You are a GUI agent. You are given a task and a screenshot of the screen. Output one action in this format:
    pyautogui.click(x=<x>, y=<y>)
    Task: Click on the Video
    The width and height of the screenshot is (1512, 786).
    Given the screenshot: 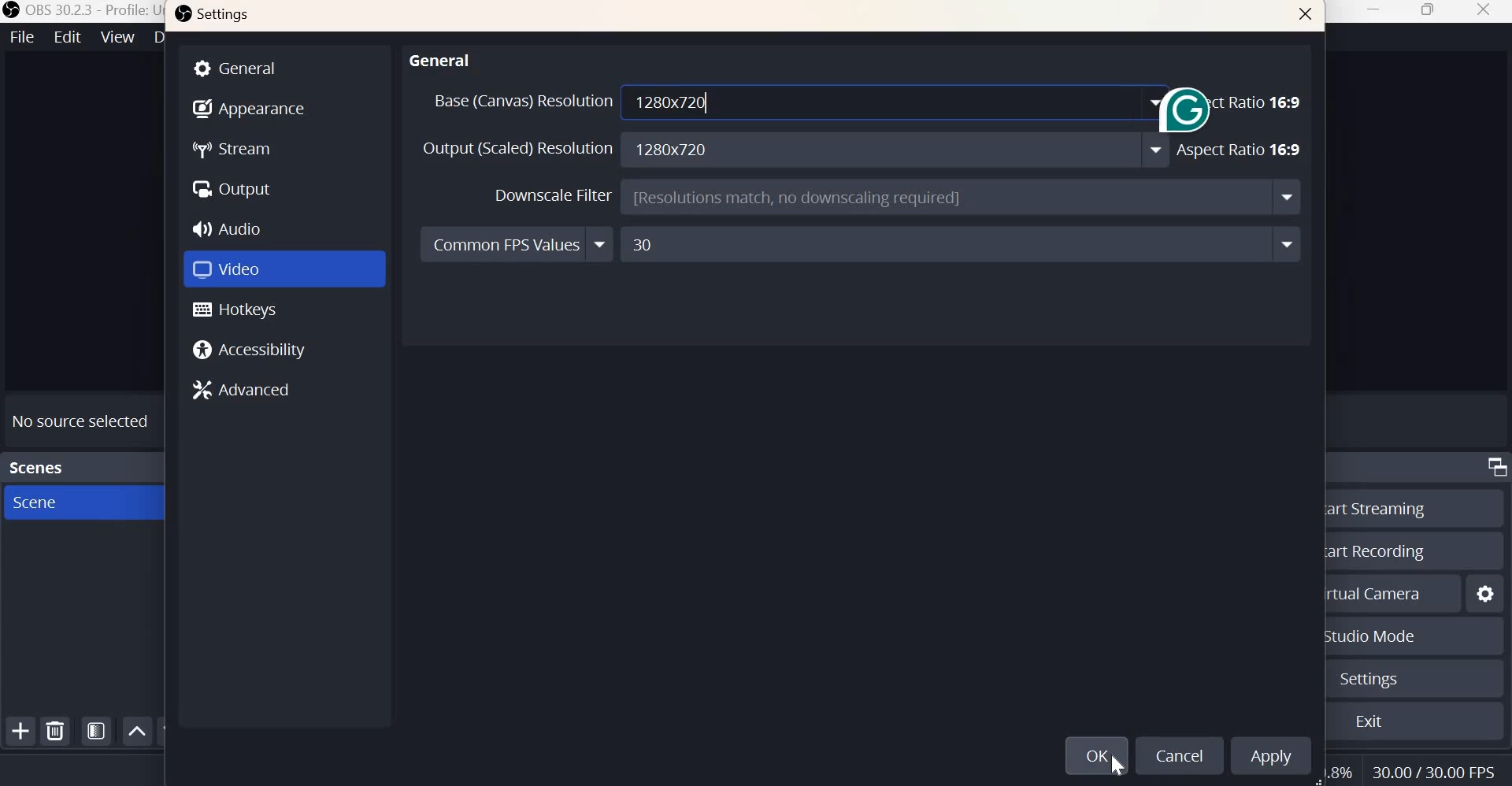 What is the action you would take?
    pyautogui.click(x=231, y=267)
    